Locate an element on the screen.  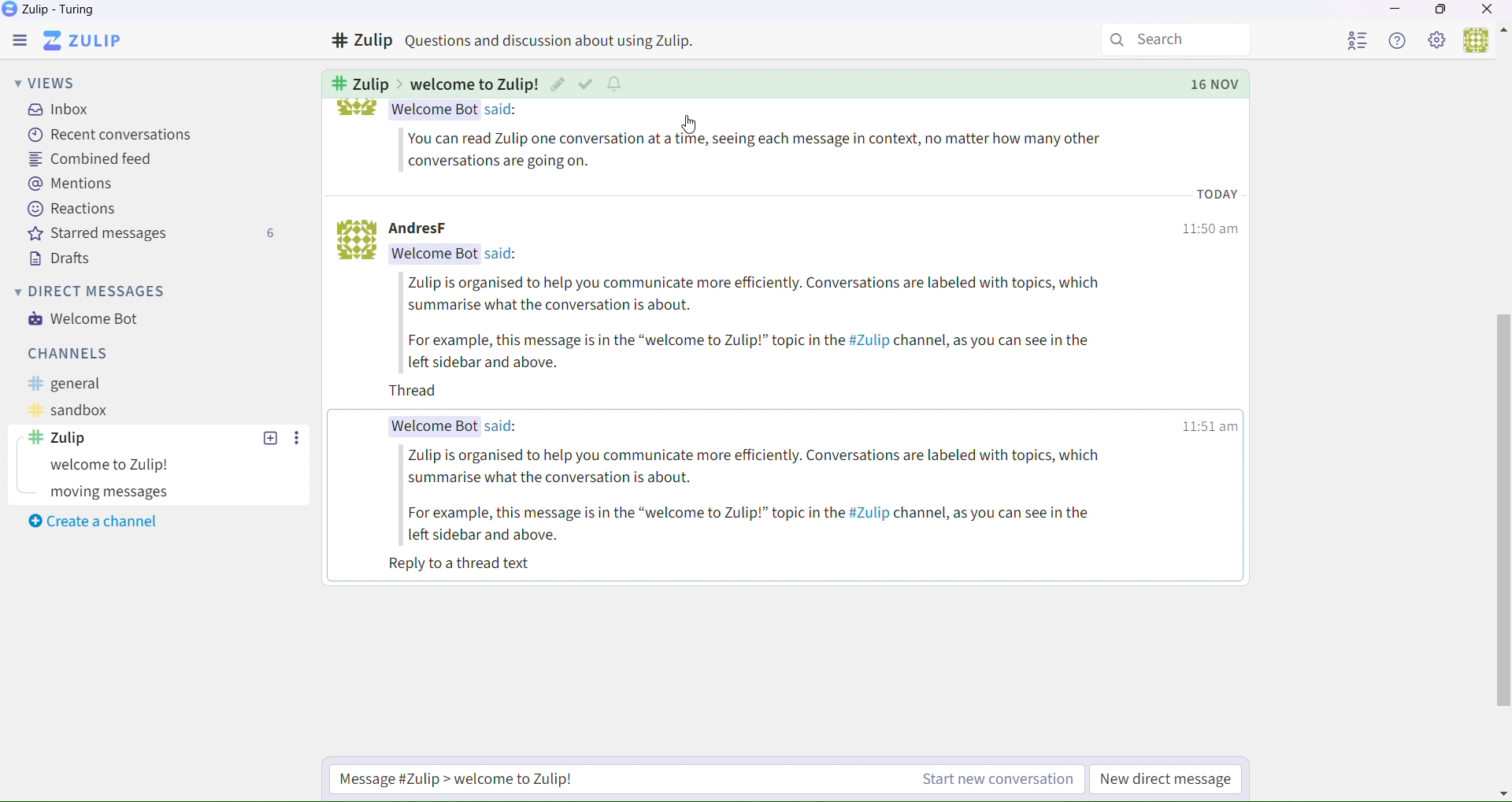
Experiments is located at coordinates (109, 466).